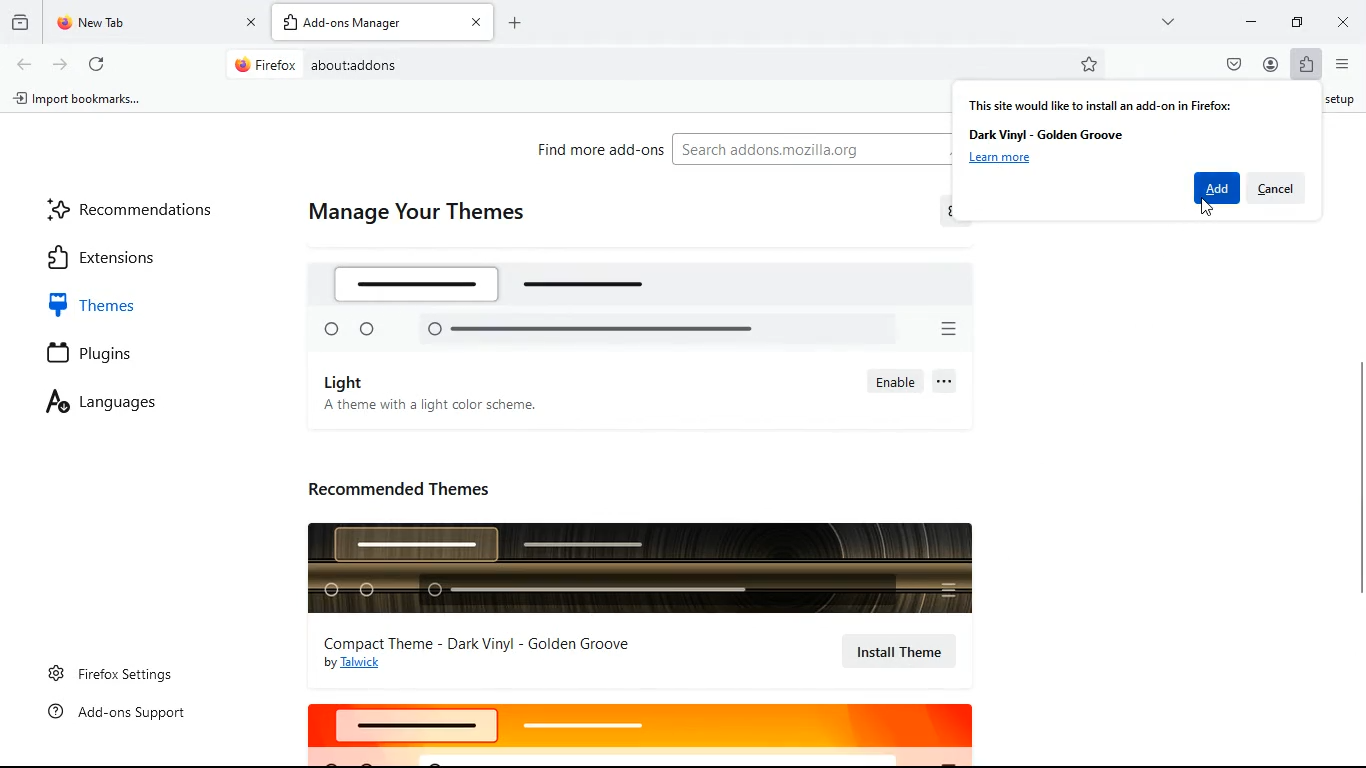 This screenshot has height=768, width=1366. I want to click on Dark Vinyl - Golden Groove, so click(1048, 135).